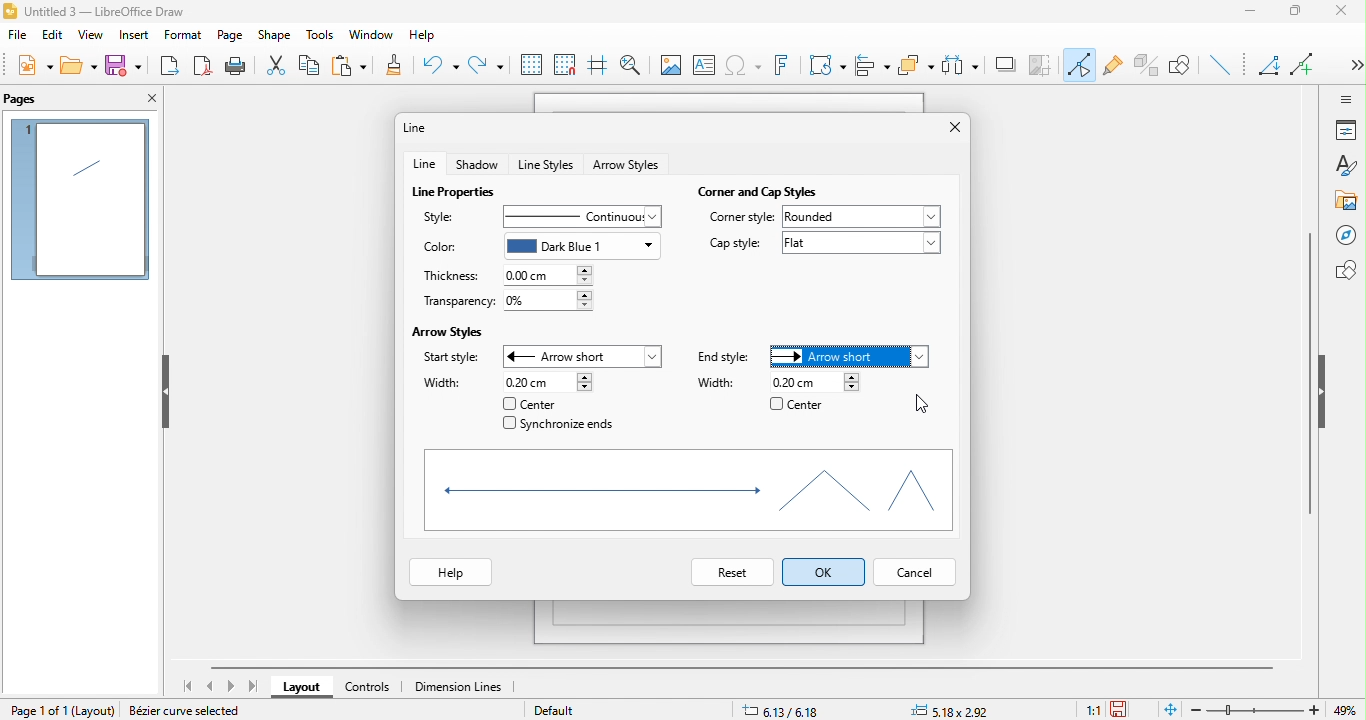 This screenshot has height=720, width=1366. I want to click on minimize, so click(1255, 14).